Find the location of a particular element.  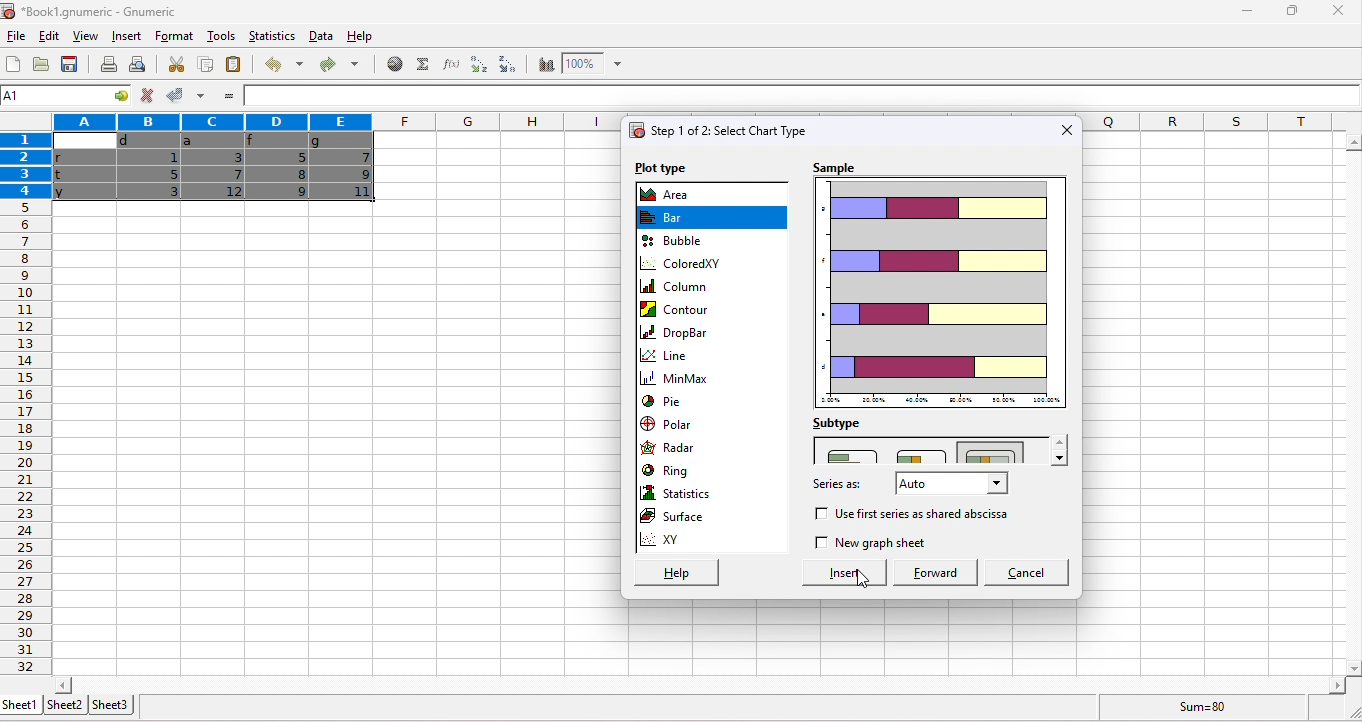

bar is located at coordinates (677, 216).